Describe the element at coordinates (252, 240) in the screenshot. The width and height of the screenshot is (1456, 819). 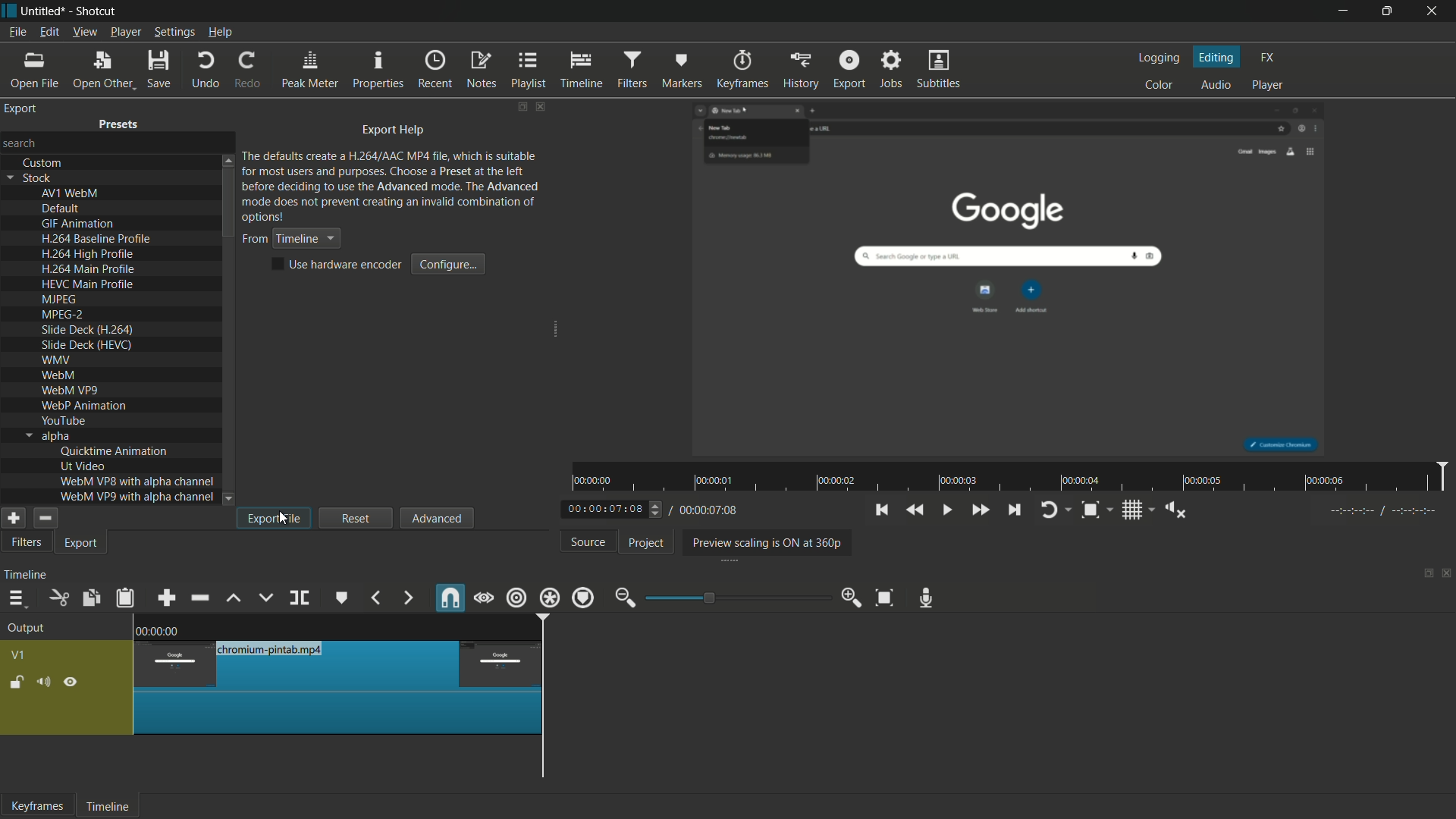
I see `from` at that location.